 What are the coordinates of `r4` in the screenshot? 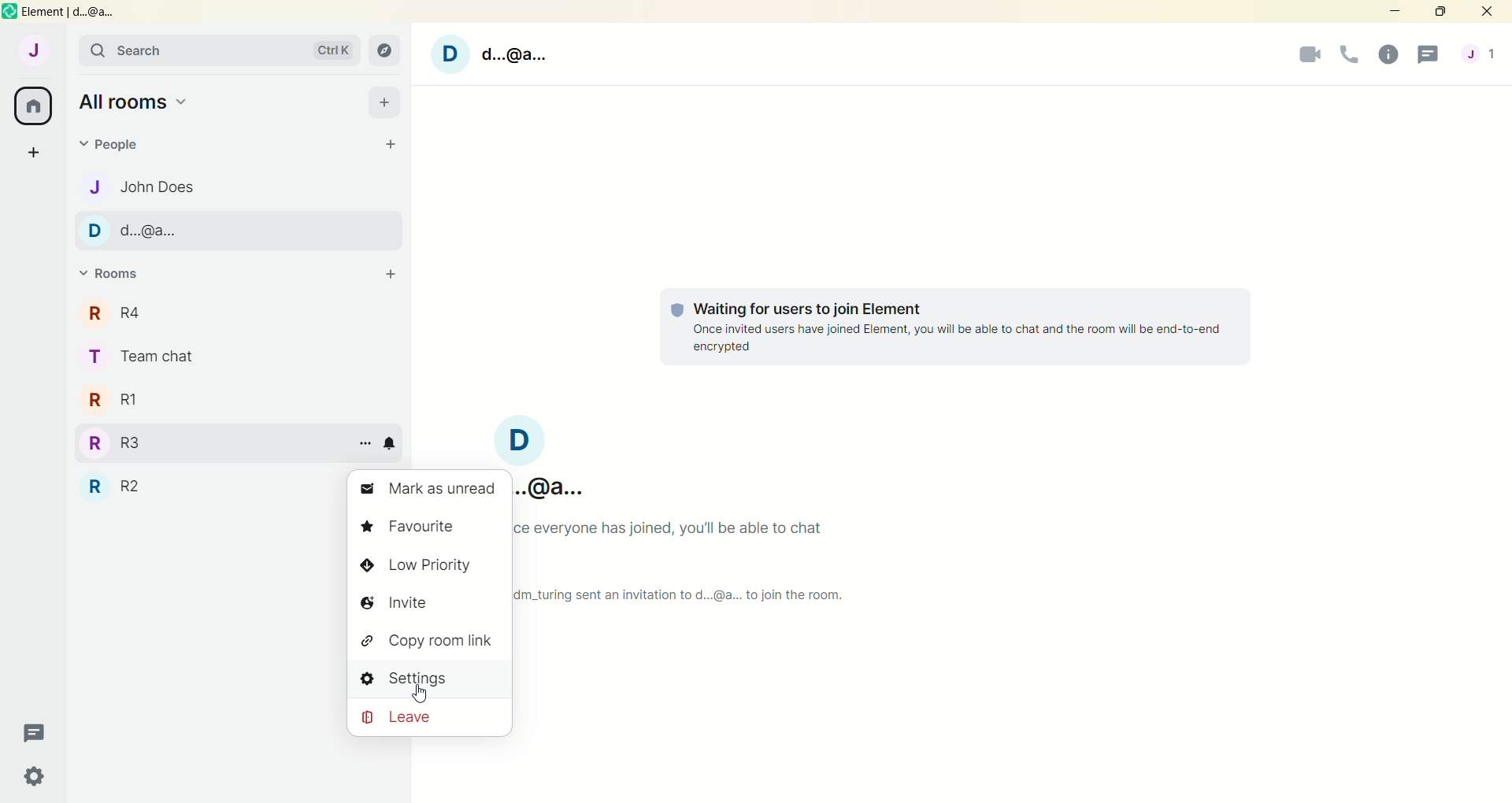 It's located at (239, 312).